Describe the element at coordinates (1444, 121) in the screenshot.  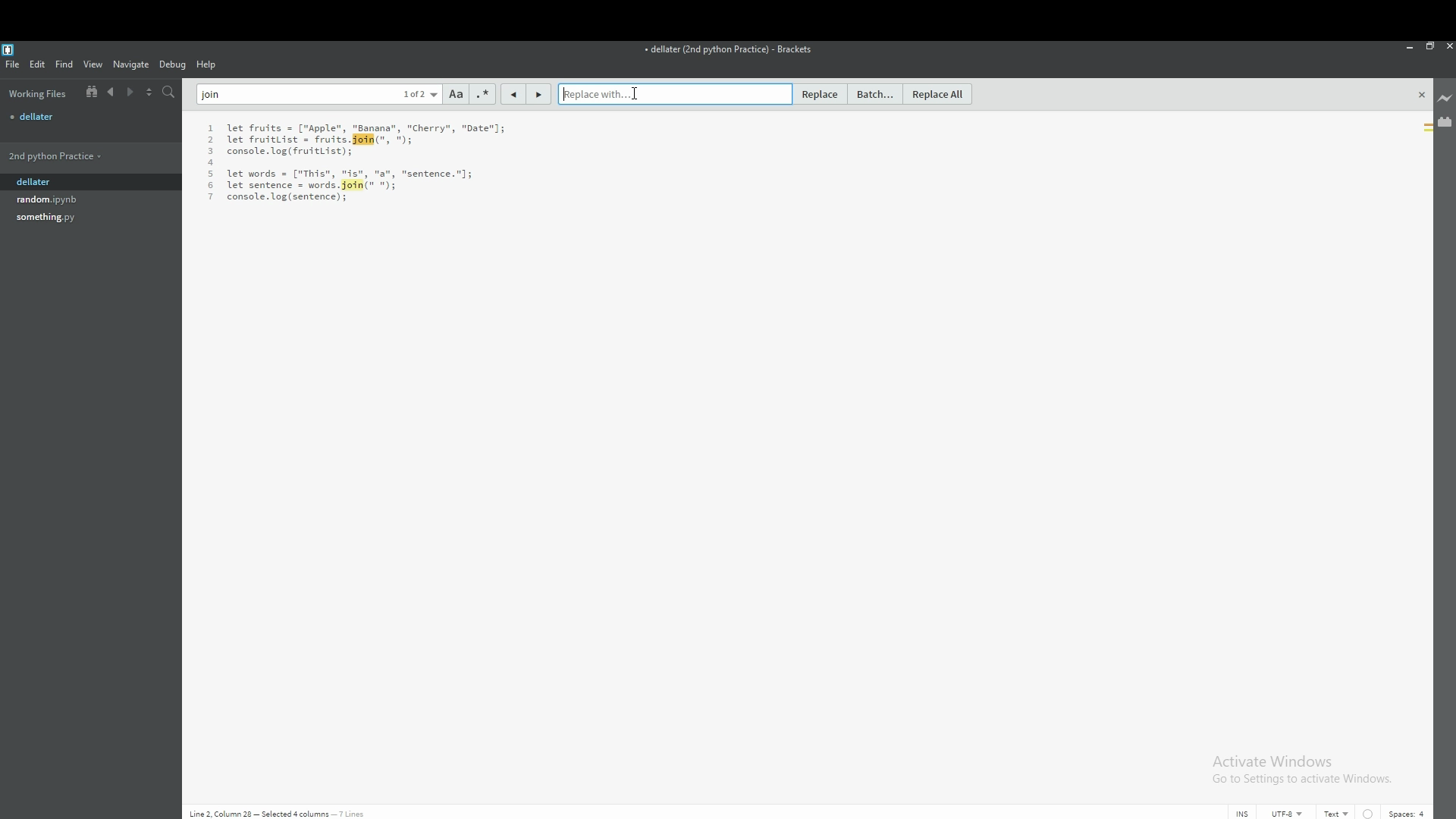
I see `extension manager` at that location.